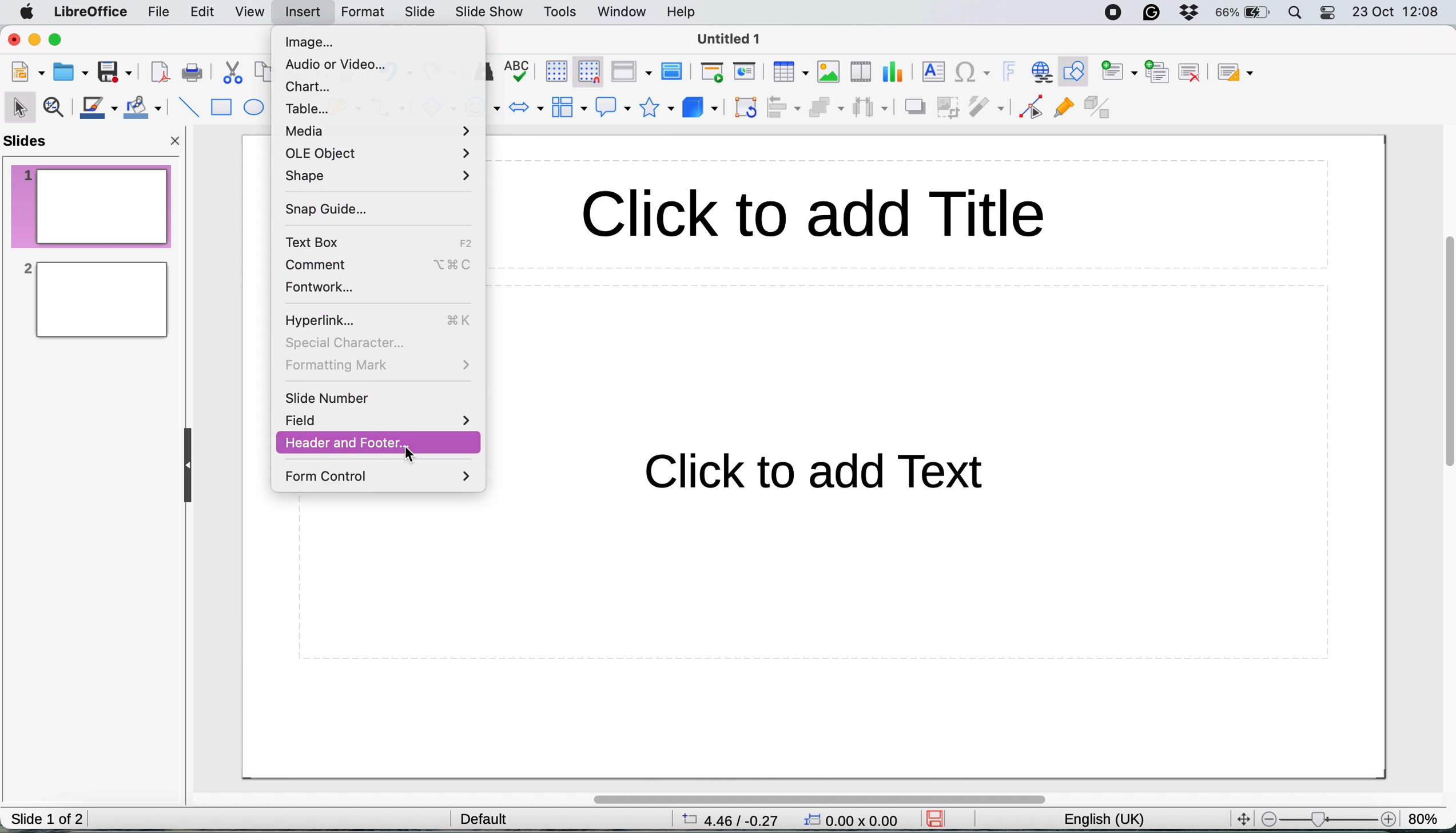  Describe the element at coordinates (789, 72) in the screenshot. I see `insert table` at that location.